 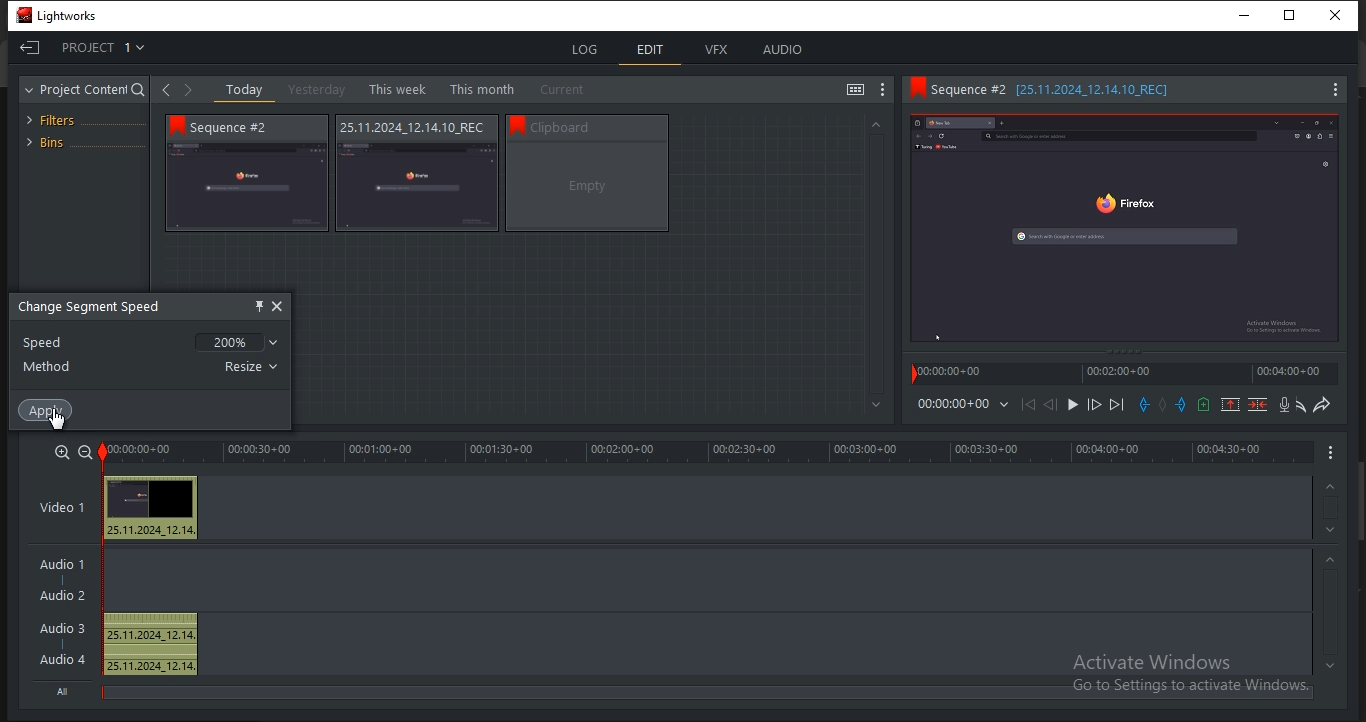 I want to click on Close, so click(x=1339, y=14).